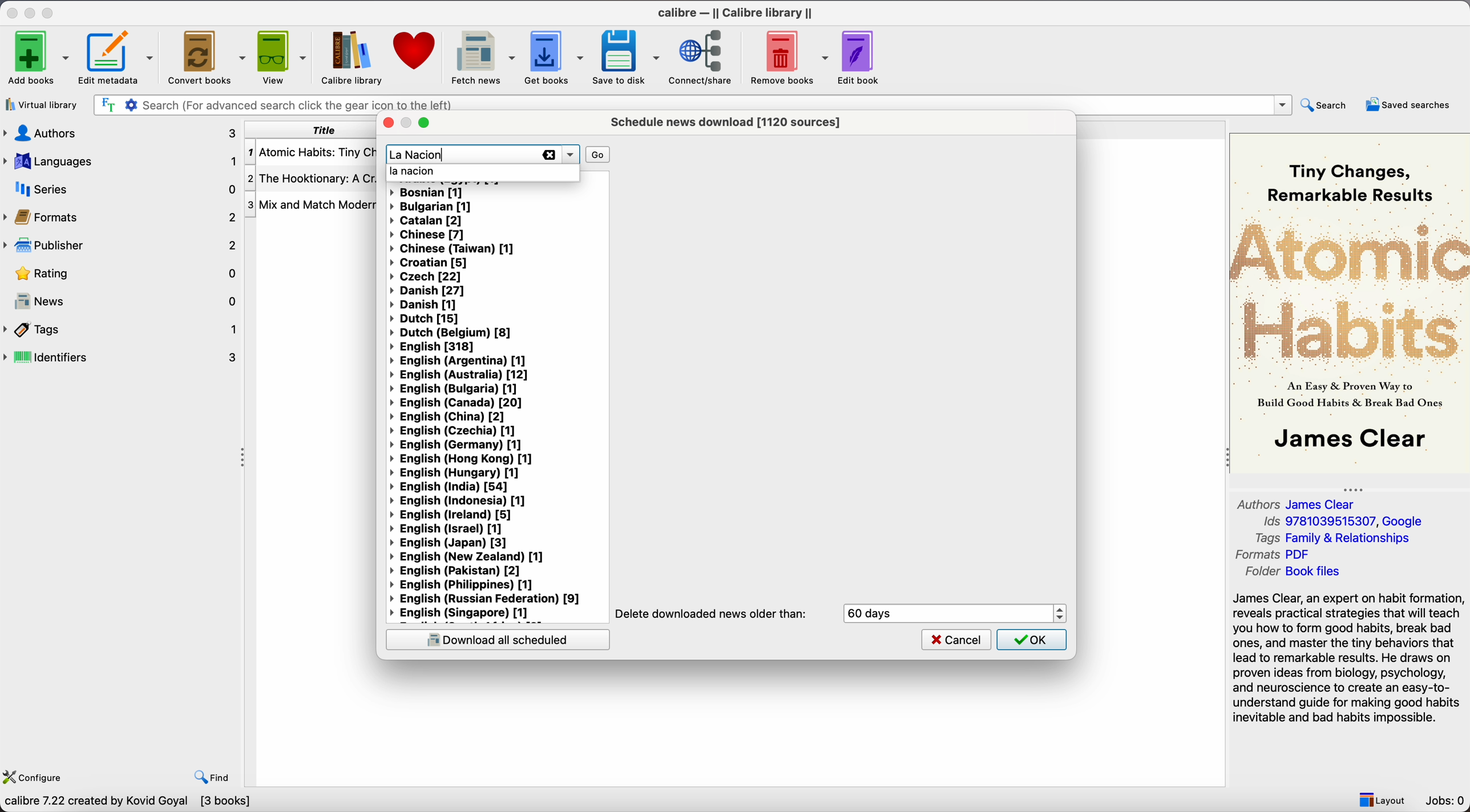  I want to click on edit book, so click(860, 56).